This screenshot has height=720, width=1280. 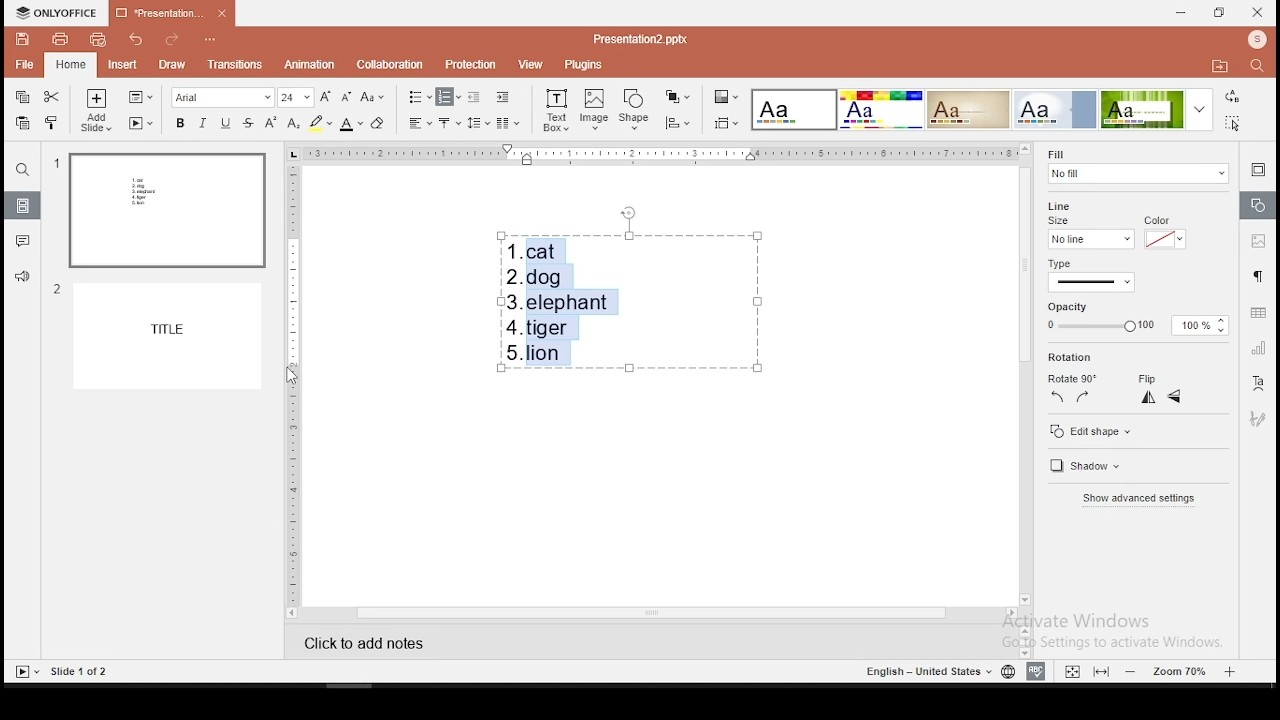 What do you see at coordinates (22, 123) in the screenshot?
I see `paste` at bounding box center [22, 123].